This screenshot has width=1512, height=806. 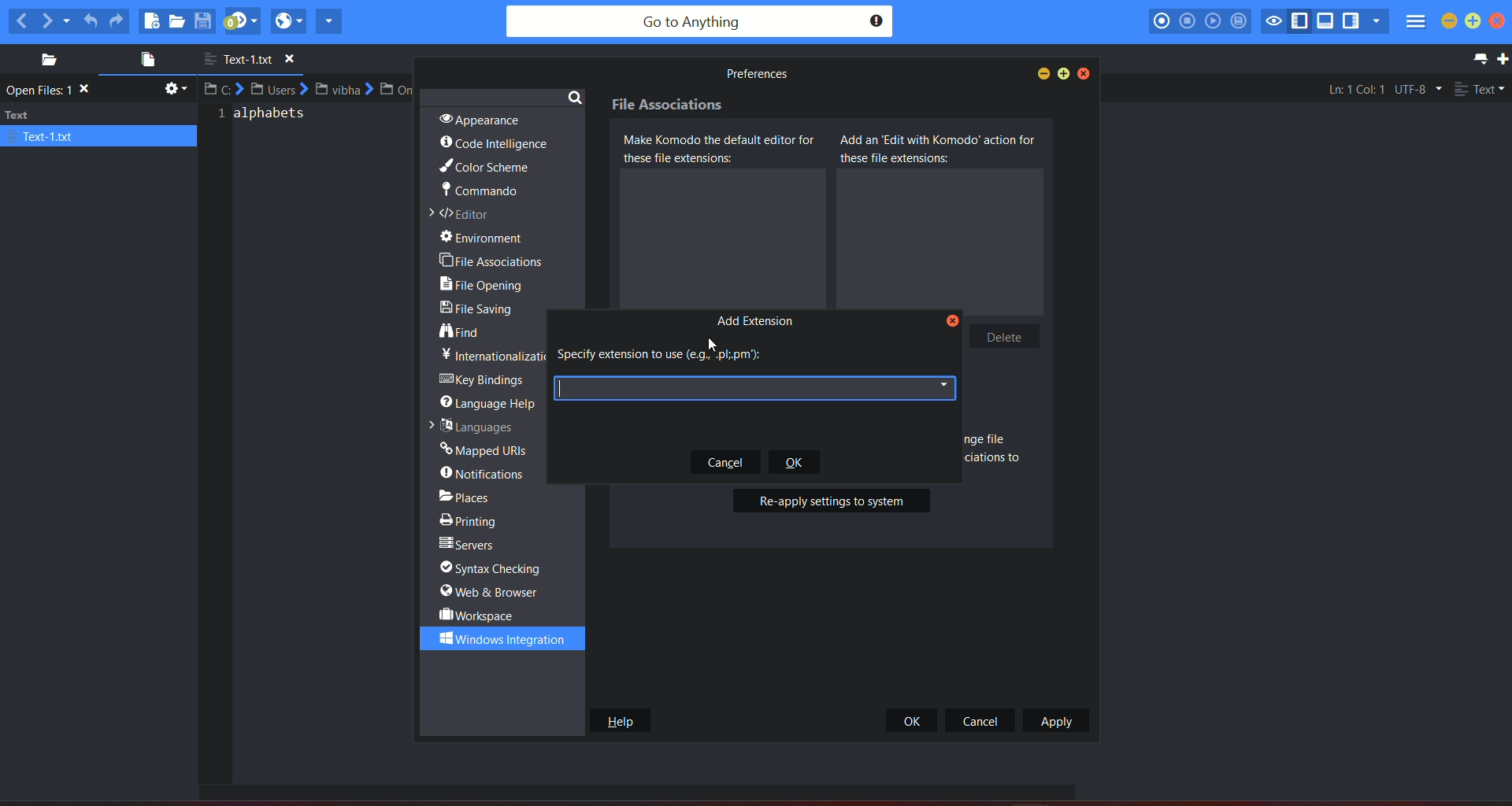 What do you see at coordinates (724, 150) in the screenshot?
I see `Make komodo the default editor for these file extensions` at bounding box center [724, 150].